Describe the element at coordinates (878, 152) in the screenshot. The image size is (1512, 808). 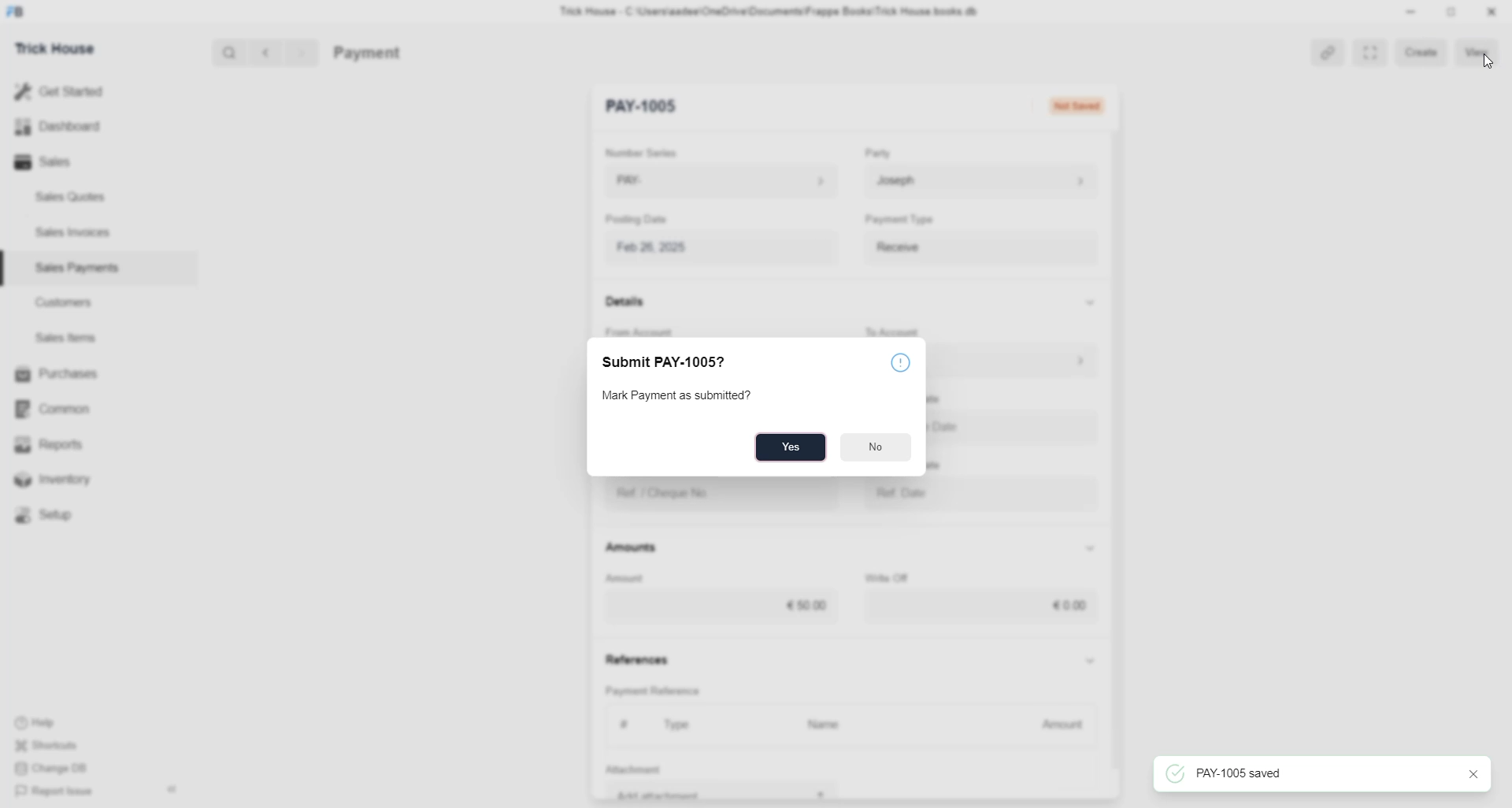
I see `Party` at that location.